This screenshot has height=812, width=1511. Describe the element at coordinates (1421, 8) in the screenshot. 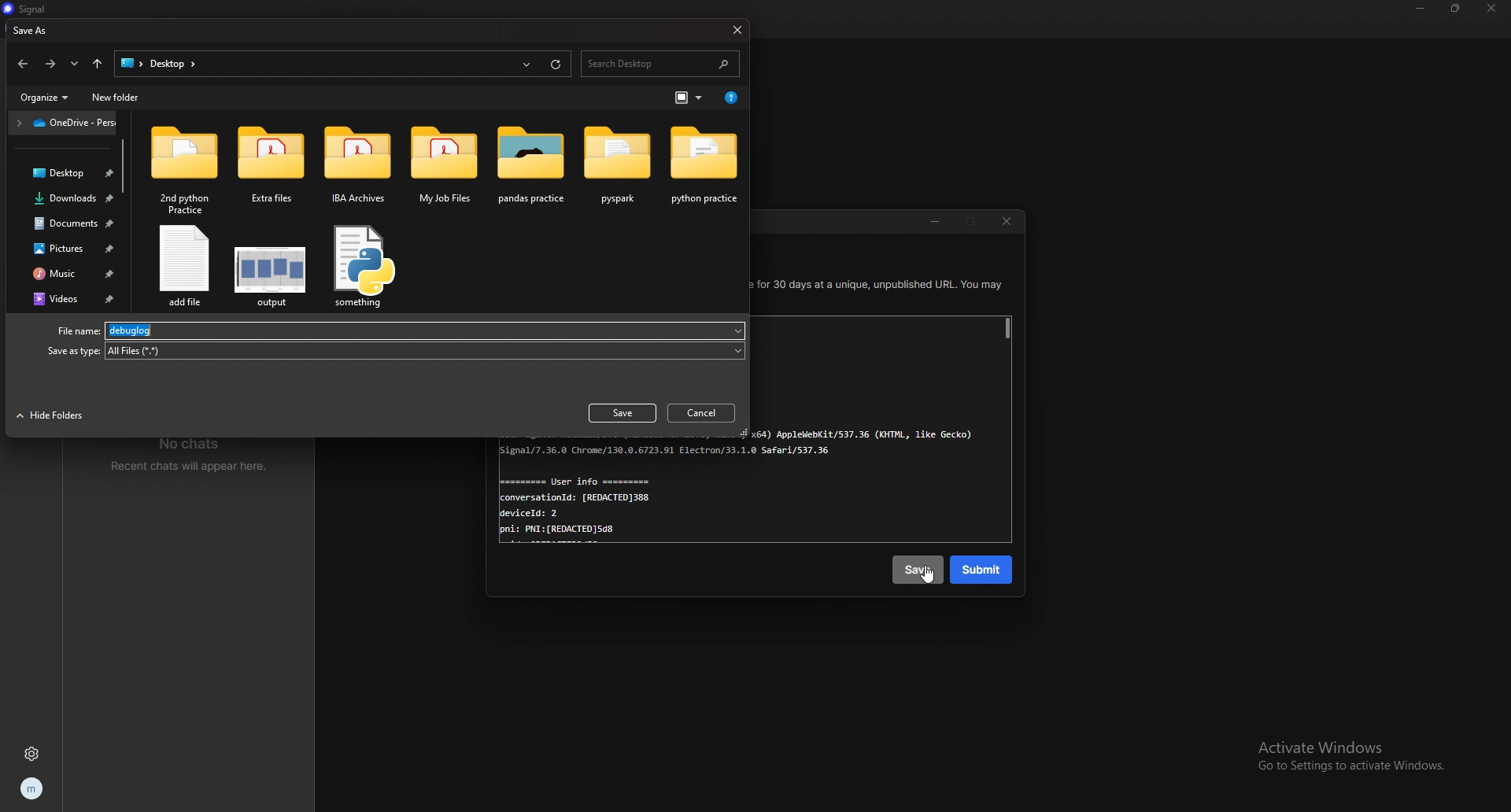

I see `minimize` at that location.